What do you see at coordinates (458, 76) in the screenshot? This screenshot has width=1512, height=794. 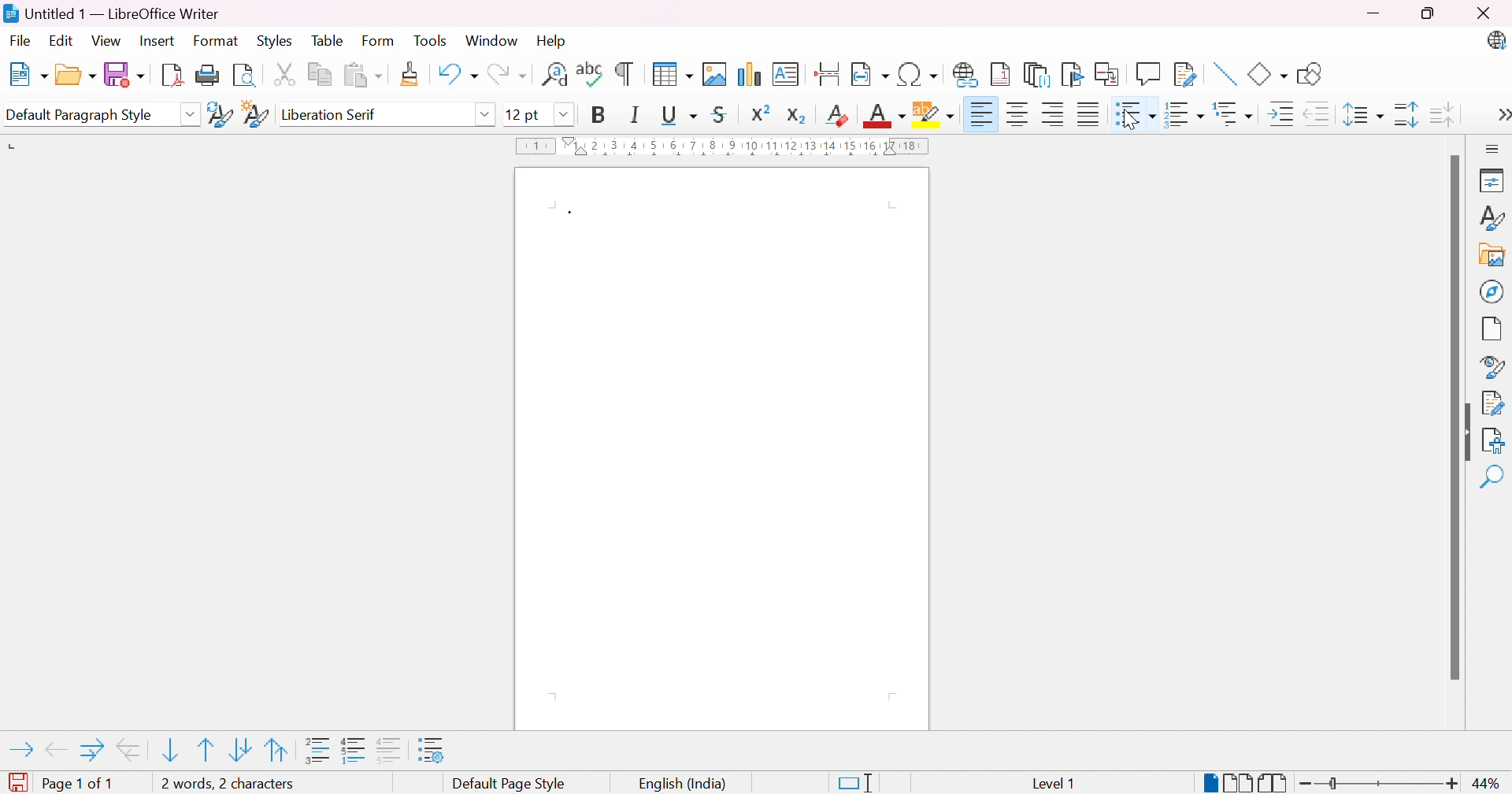 I see `Undo` at bounding box center [458, 76].